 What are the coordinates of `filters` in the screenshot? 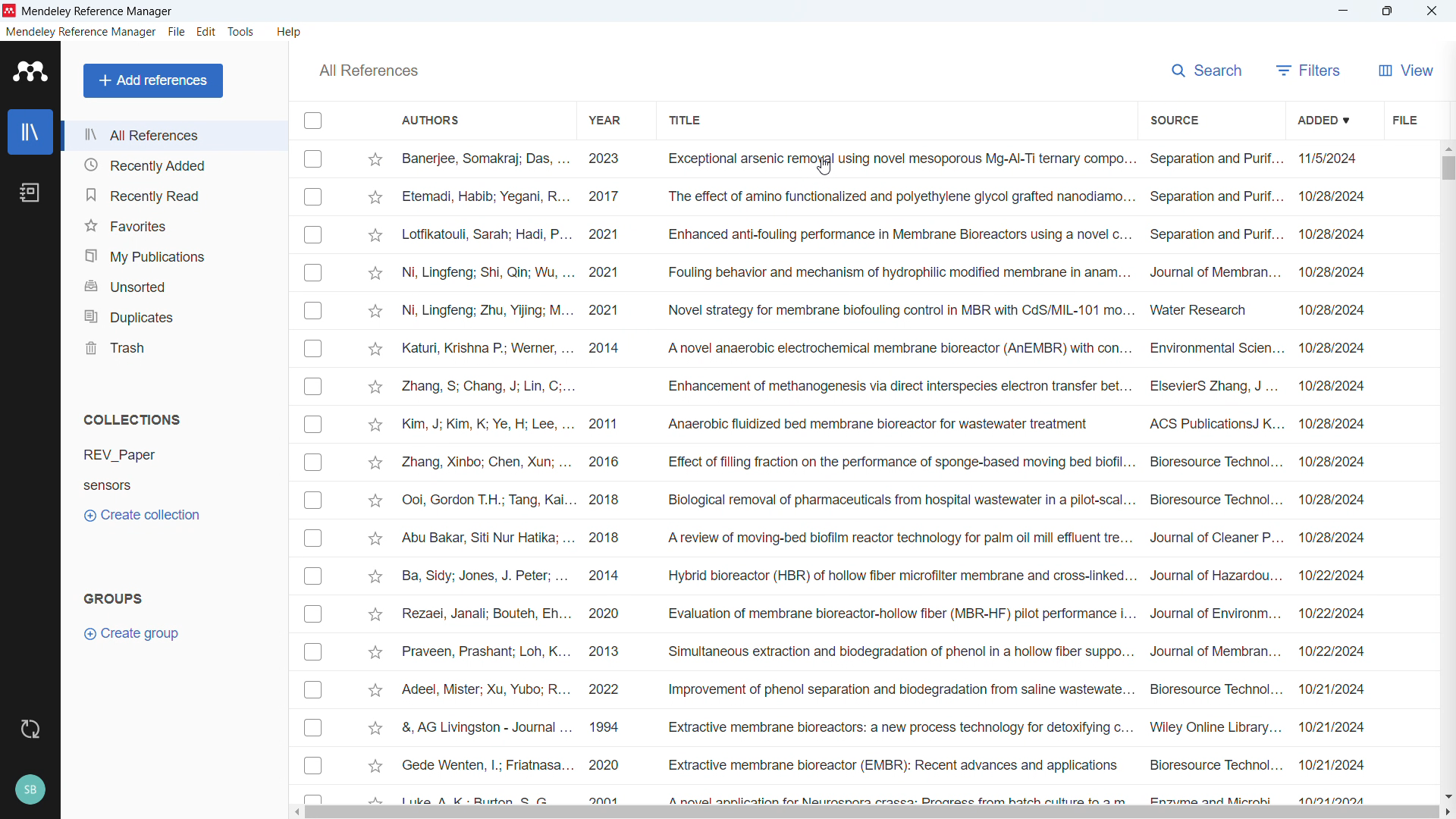 It's located at (1310, 71).